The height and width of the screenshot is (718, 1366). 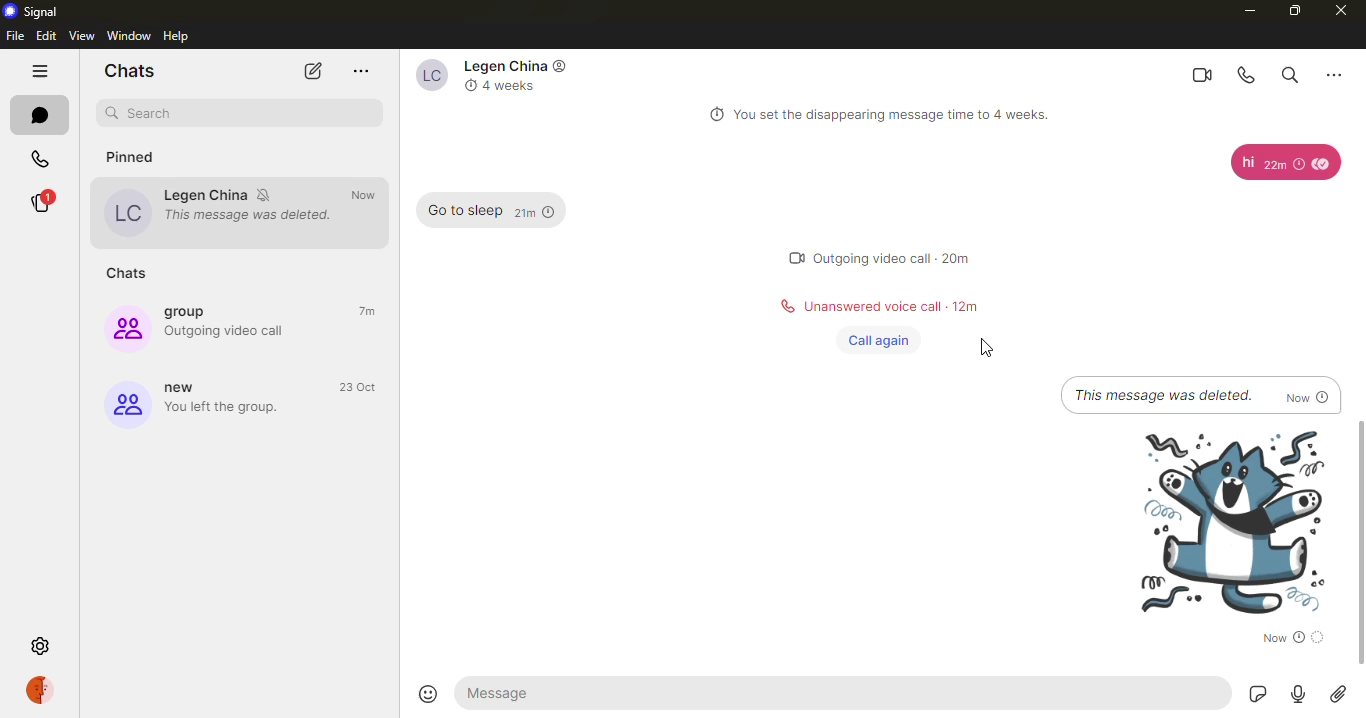 I want to click on The message was deleted., so click(x=1164, y=395).